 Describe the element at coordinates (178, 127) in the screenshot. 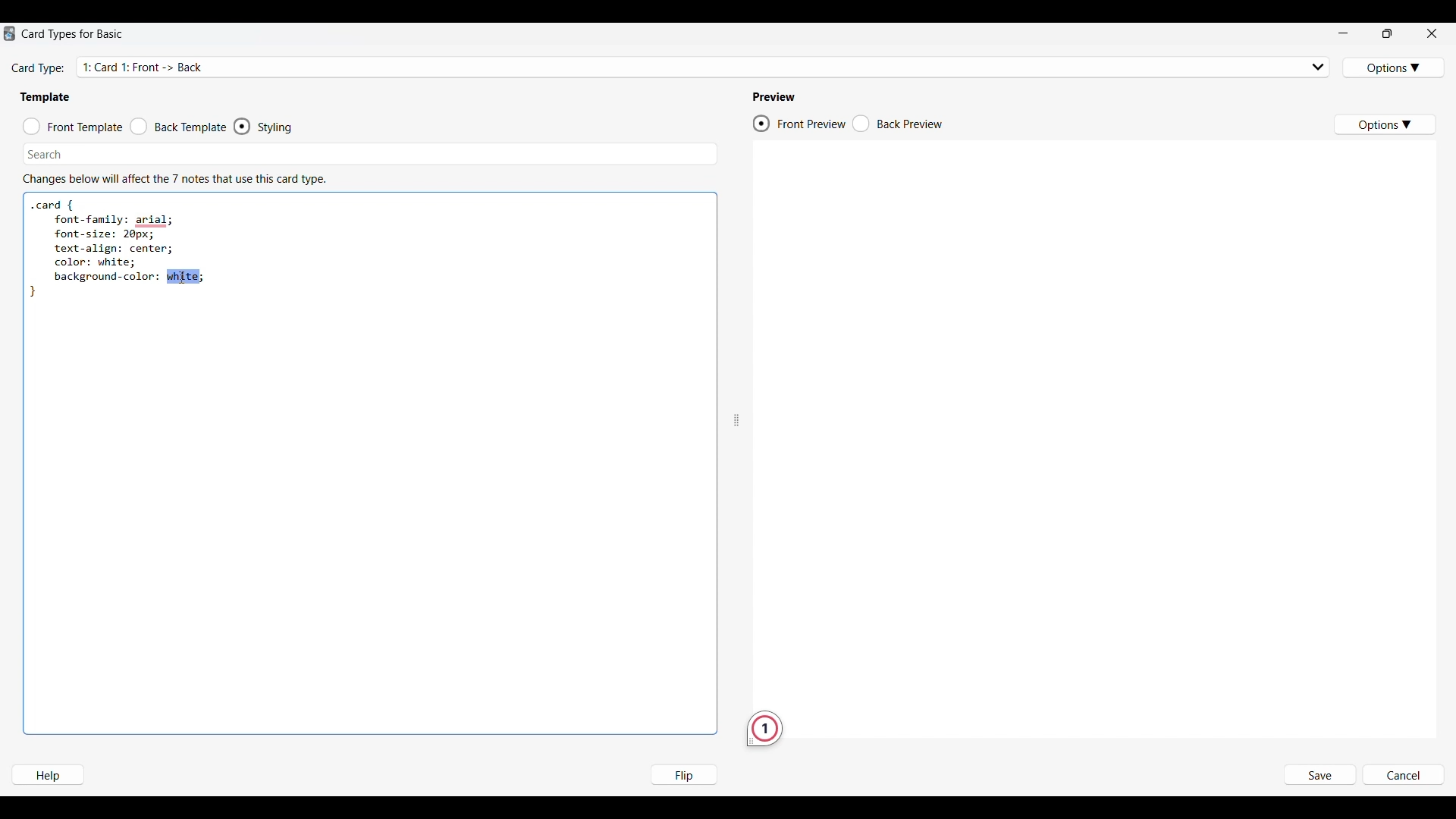

I see `Back template` at that location.